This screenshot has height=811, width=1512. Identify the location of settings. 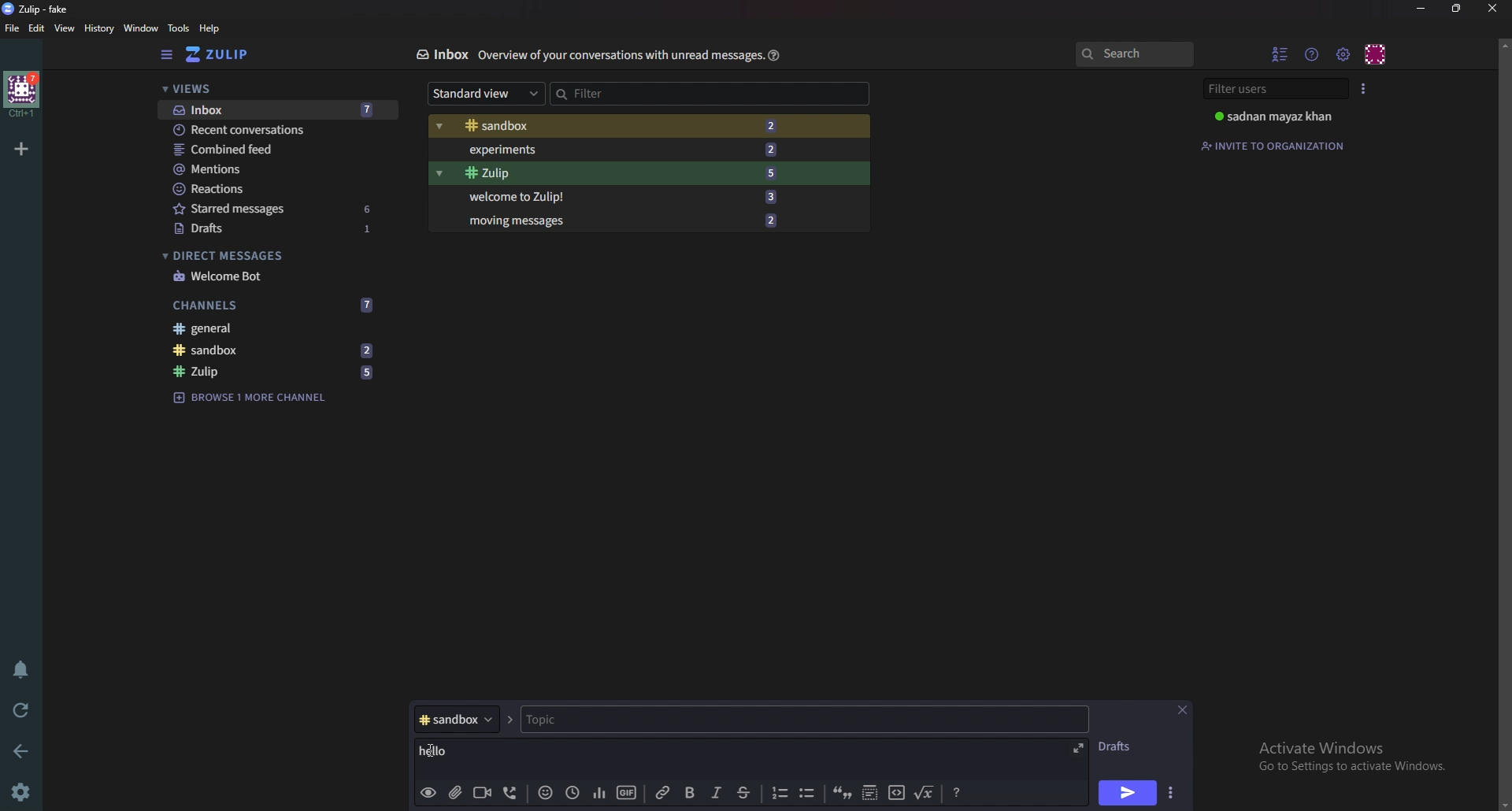
(24, 791).